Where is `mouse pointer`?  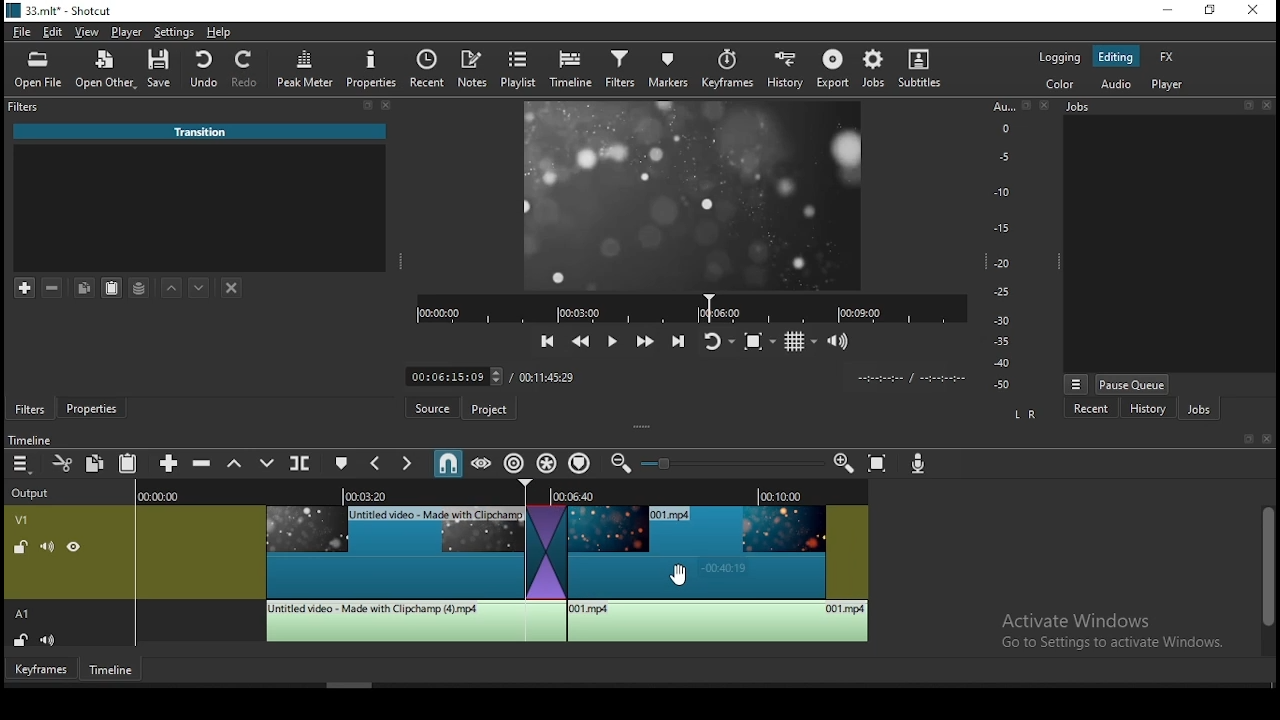 mouse pointer is located at coordinates (683, 574).